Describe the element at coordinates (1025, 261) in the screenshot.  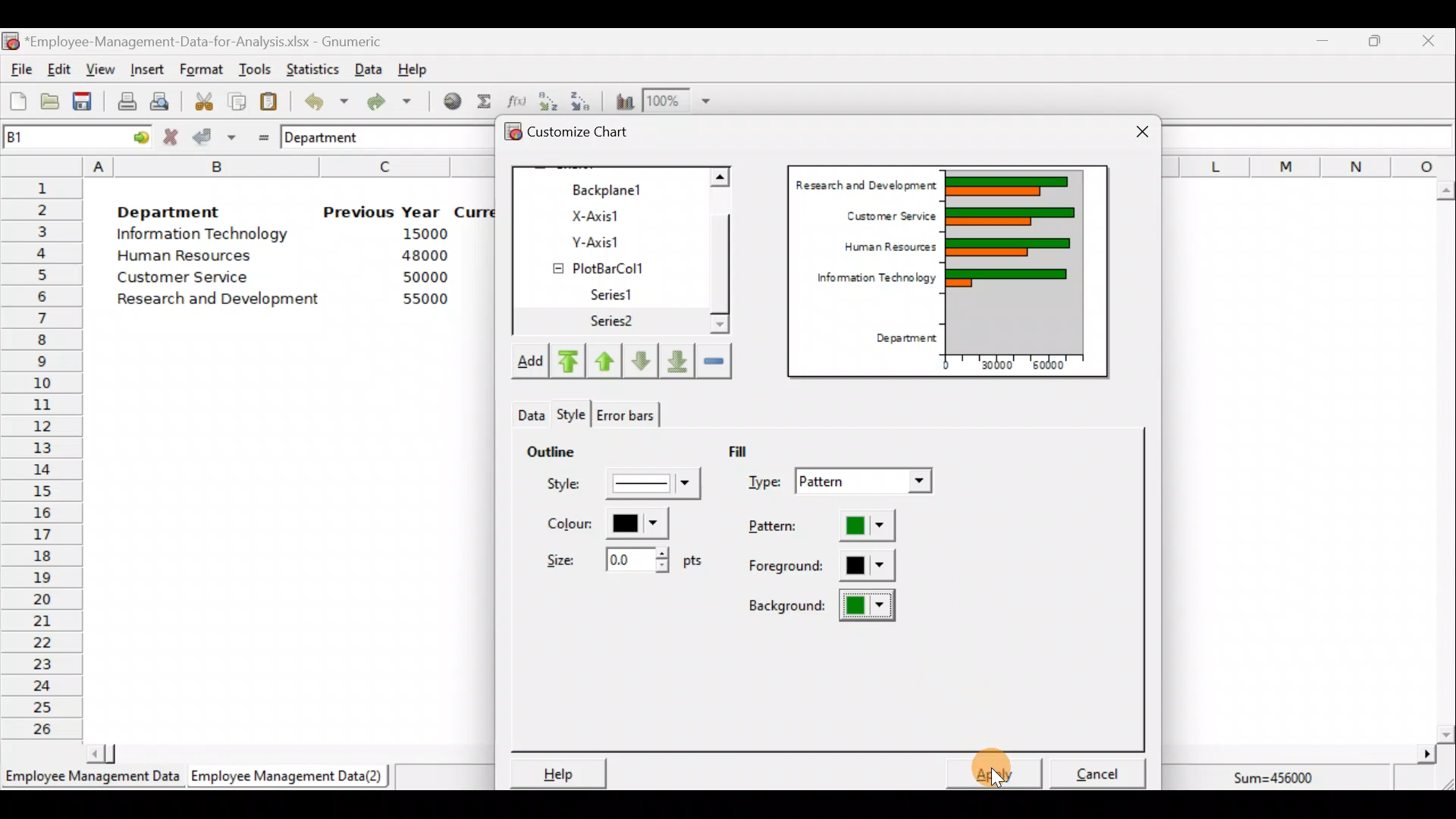
I see `Chart preview` at that location.